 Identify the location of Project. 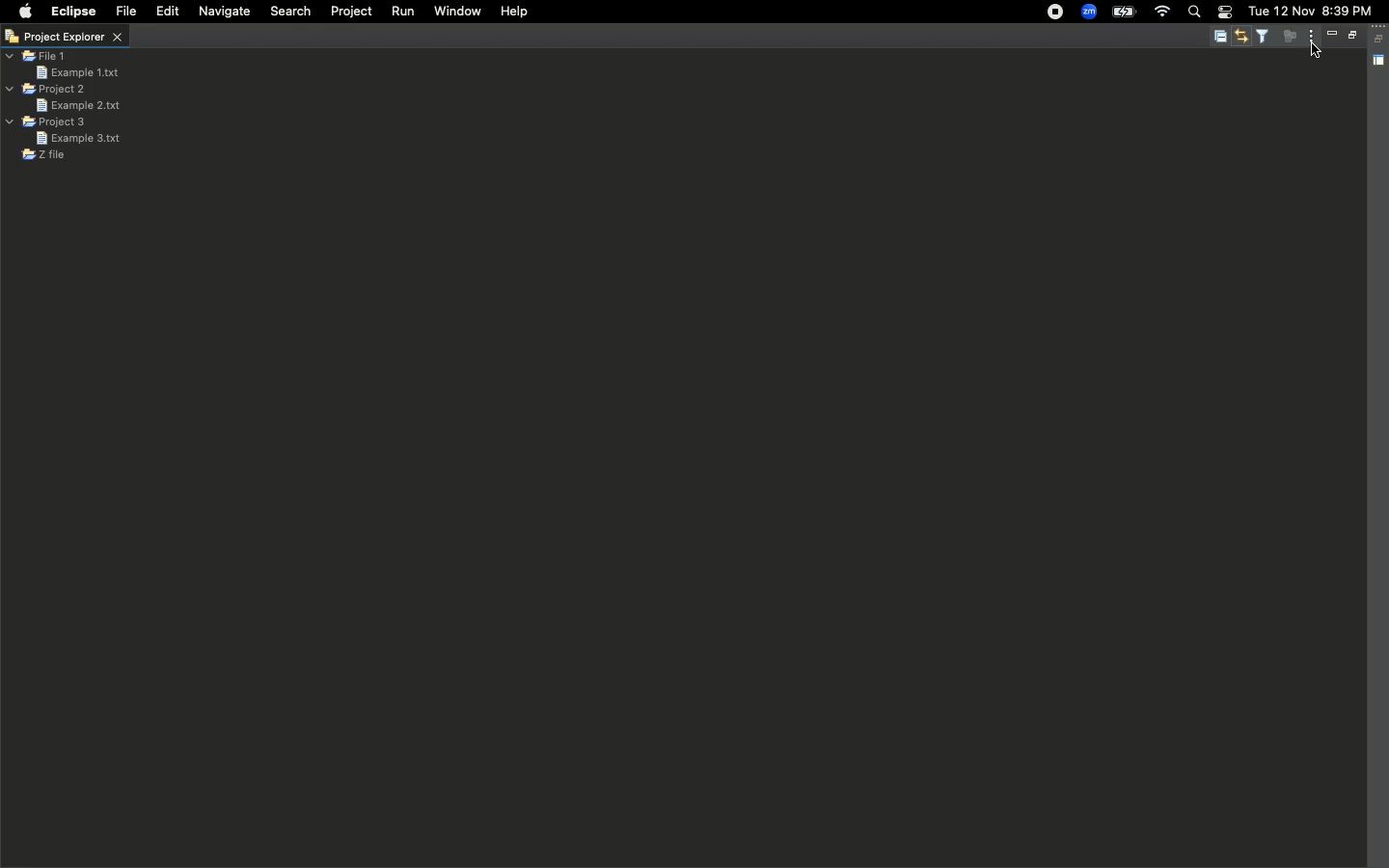
(353, 13).